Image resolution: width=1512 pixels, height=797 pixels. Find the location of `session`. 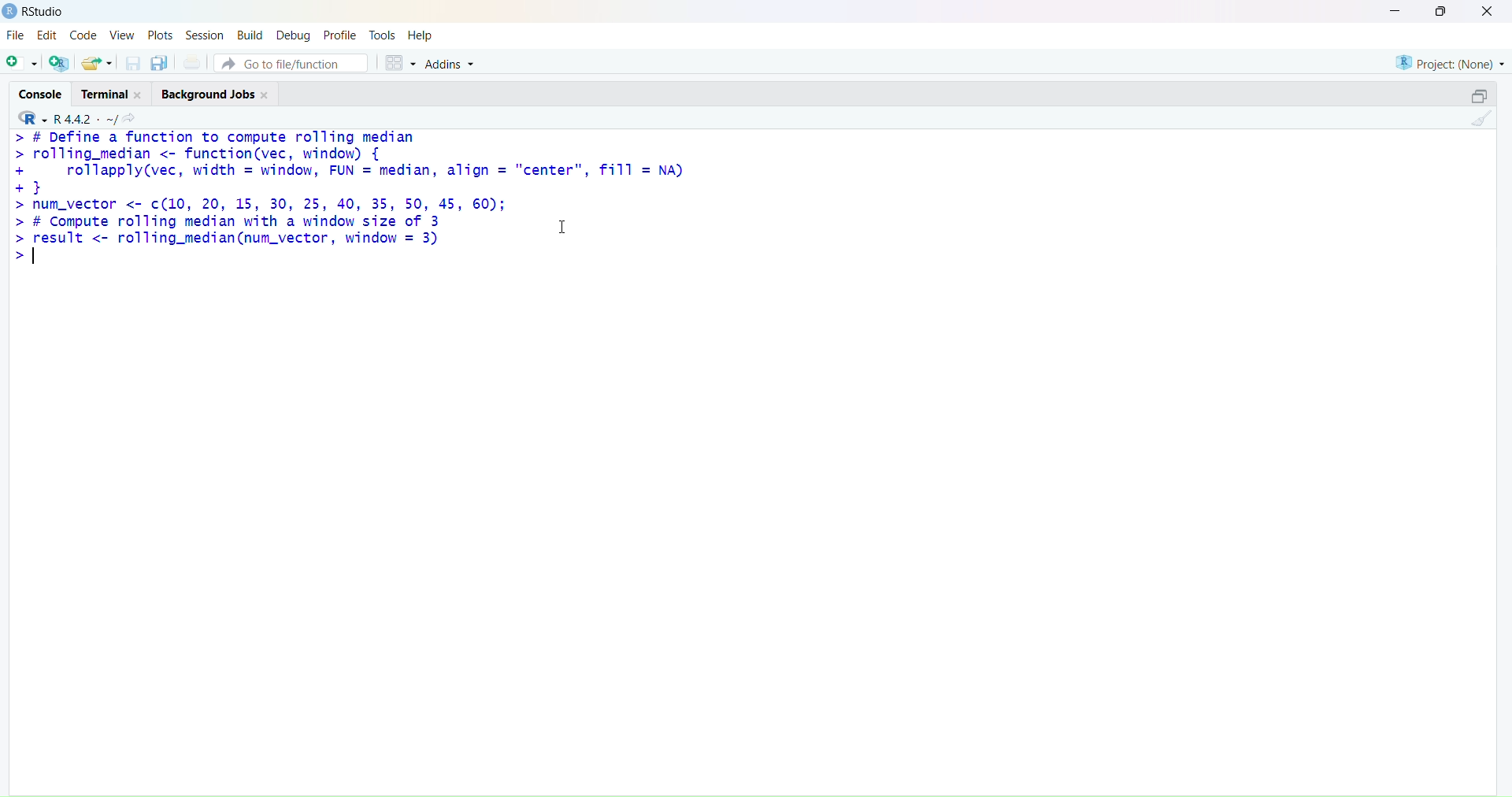

session is located at coordinates (206, 36).